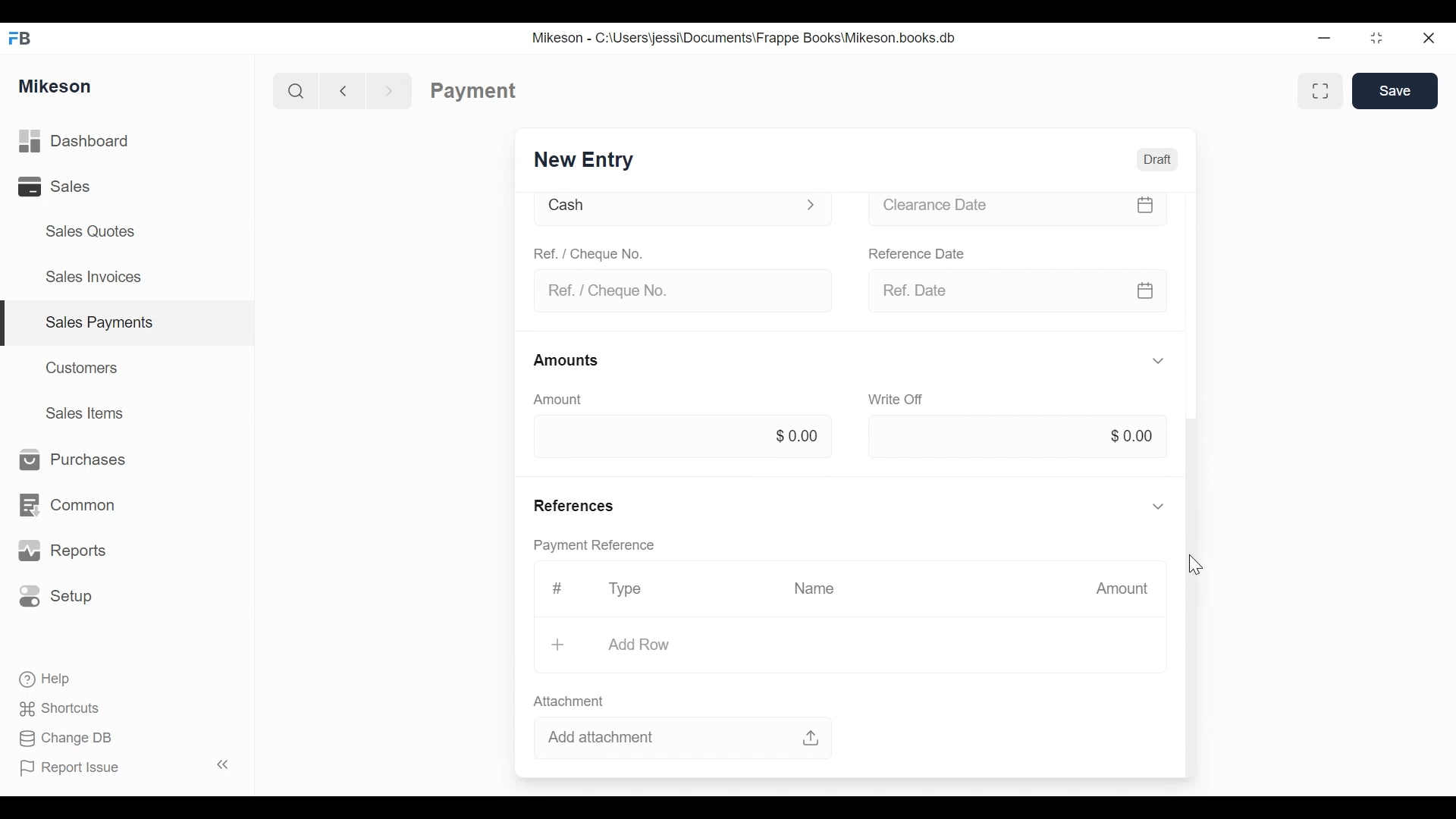  I want to click on reference date, so click(921, 256).